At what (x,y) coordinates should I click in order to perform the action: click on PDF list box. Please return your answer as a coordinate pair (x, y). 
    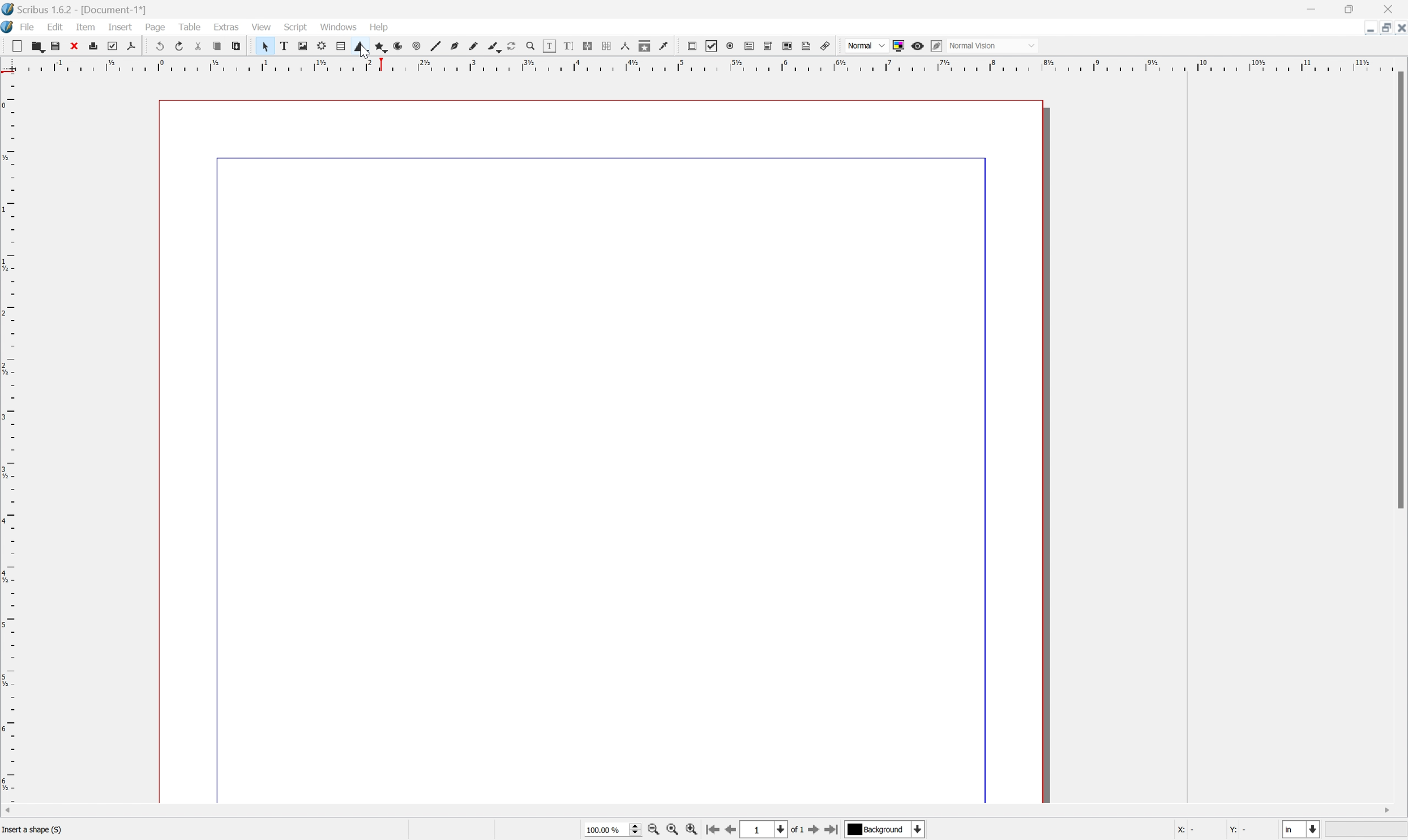
    Looking at the image, I should click on (788, 46).